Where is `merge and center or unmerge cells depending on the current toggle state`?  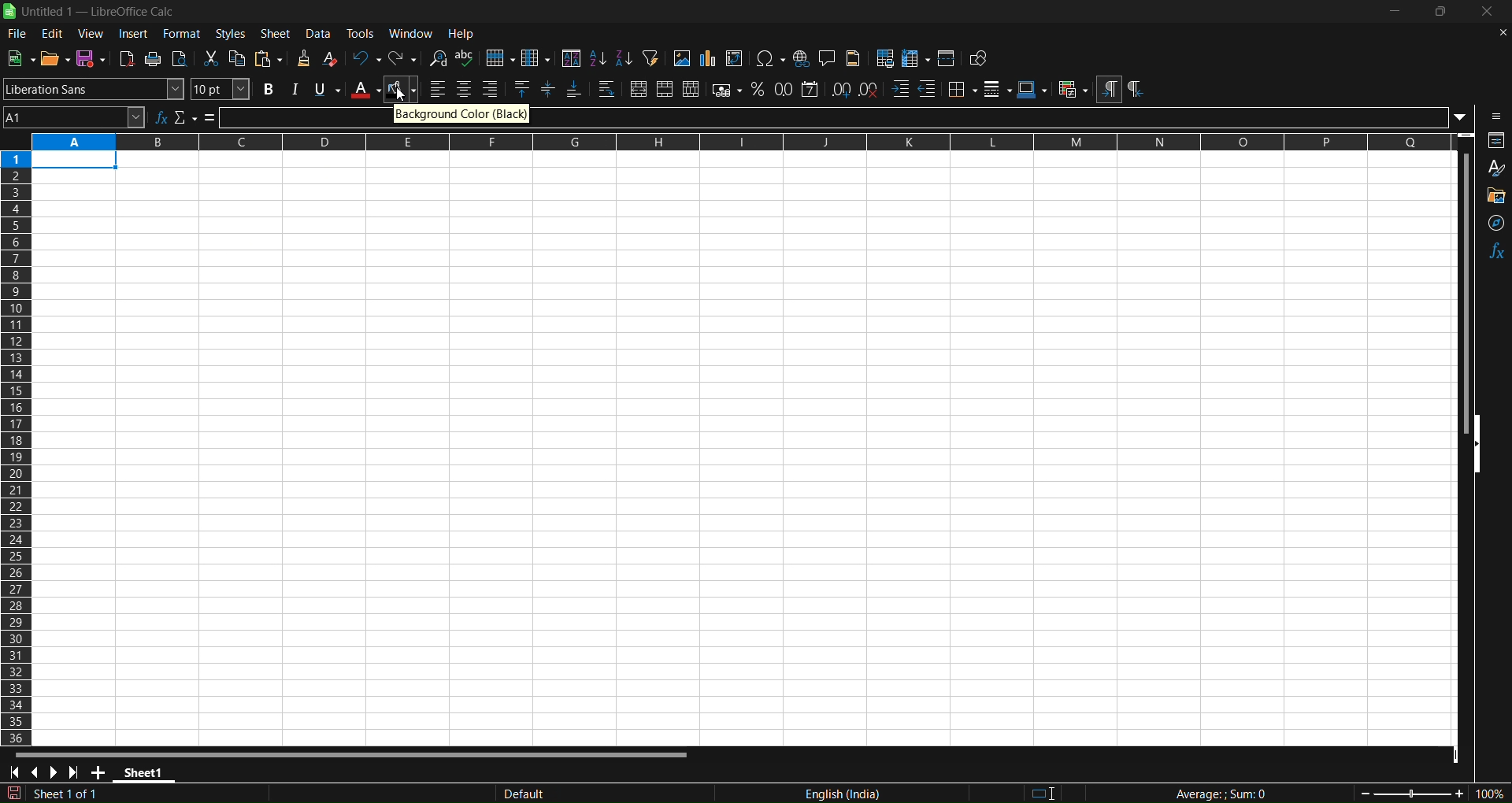
merge and center or unmerge cells depending on the current toggle state is located at coordinates (638, 89).